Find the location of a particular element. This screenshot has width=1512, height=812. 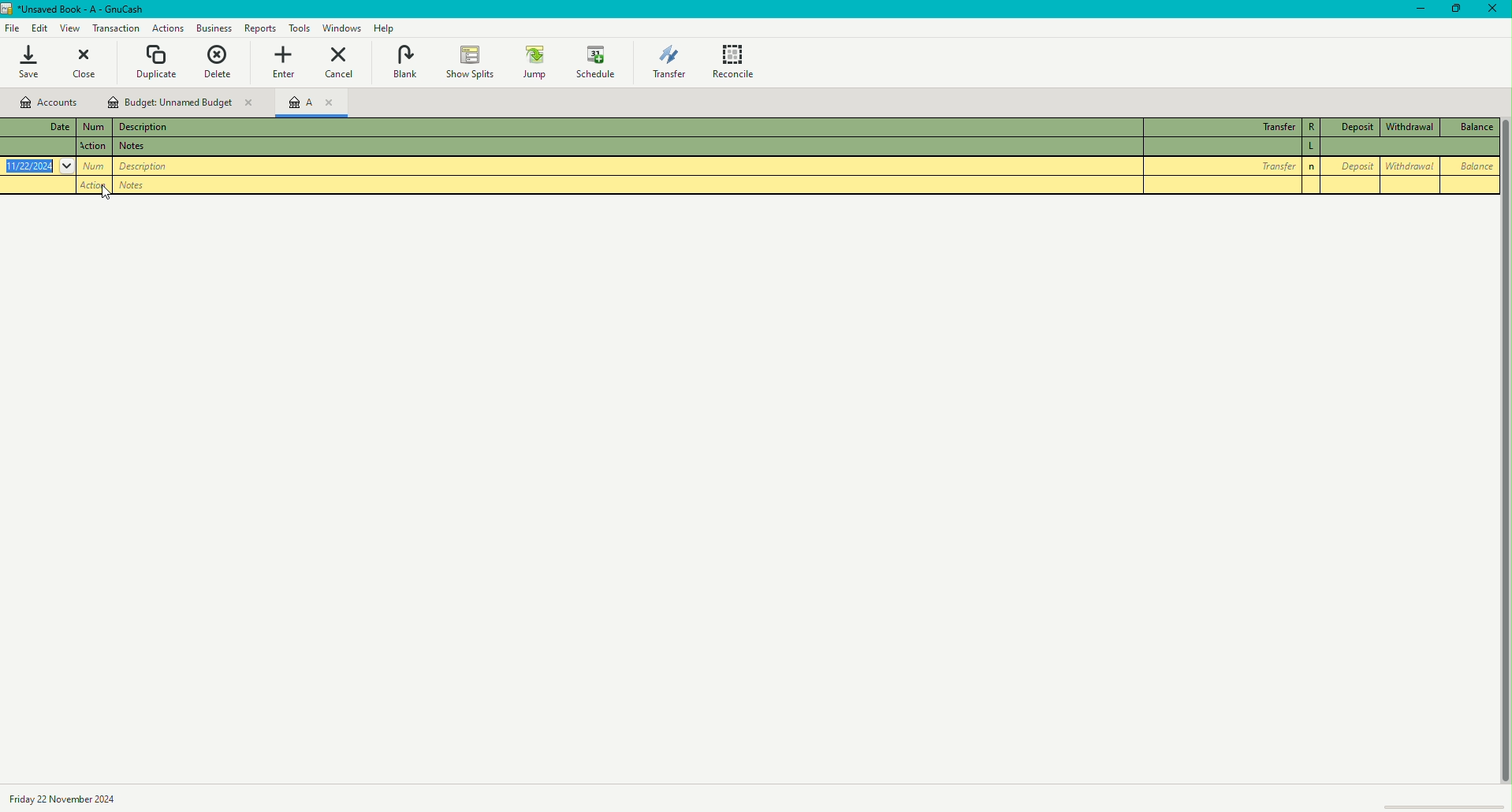

Num is located at coordinates (98, 128).